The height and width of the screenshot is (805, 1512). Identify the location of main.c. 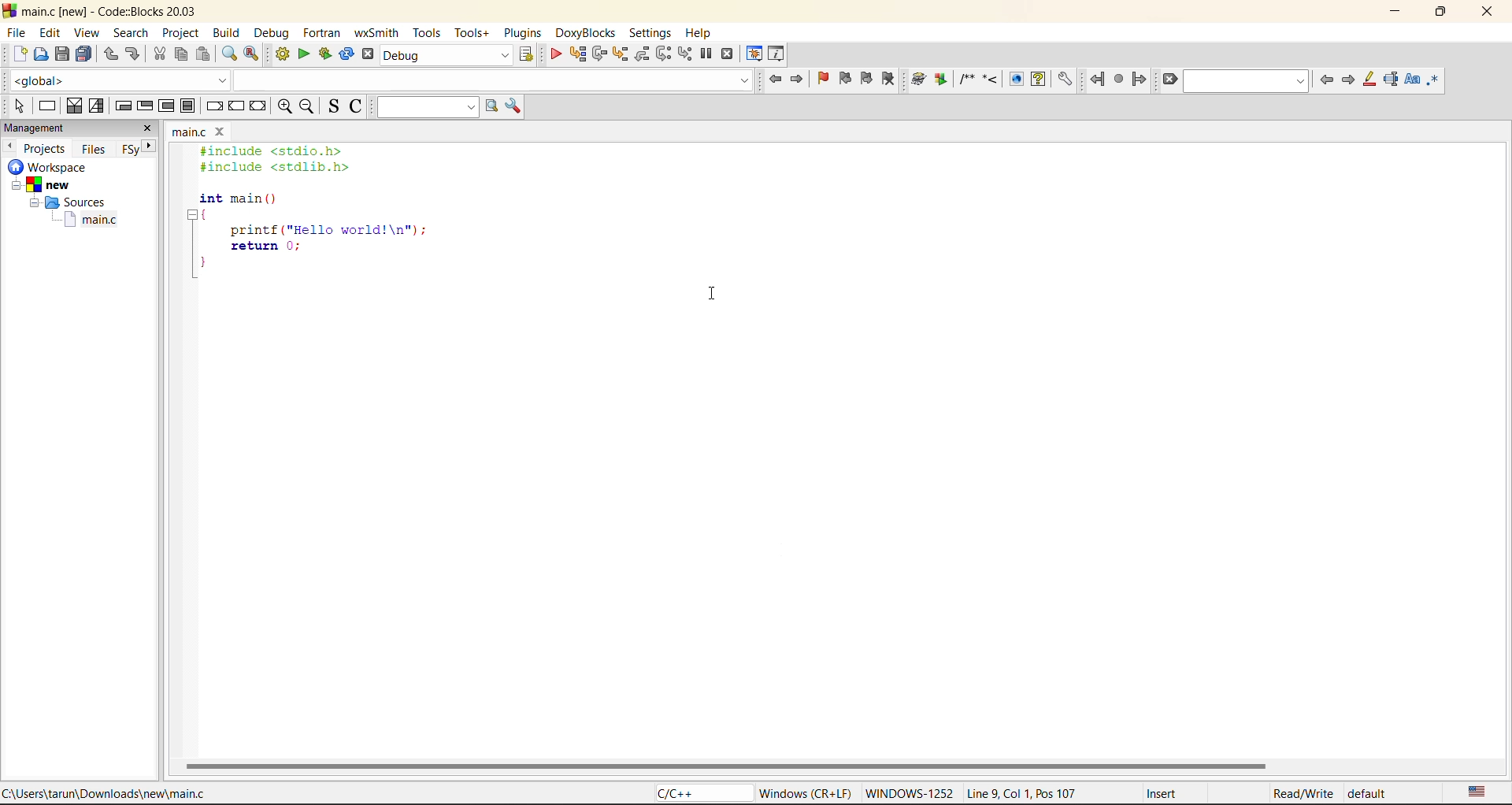
(94, 222).